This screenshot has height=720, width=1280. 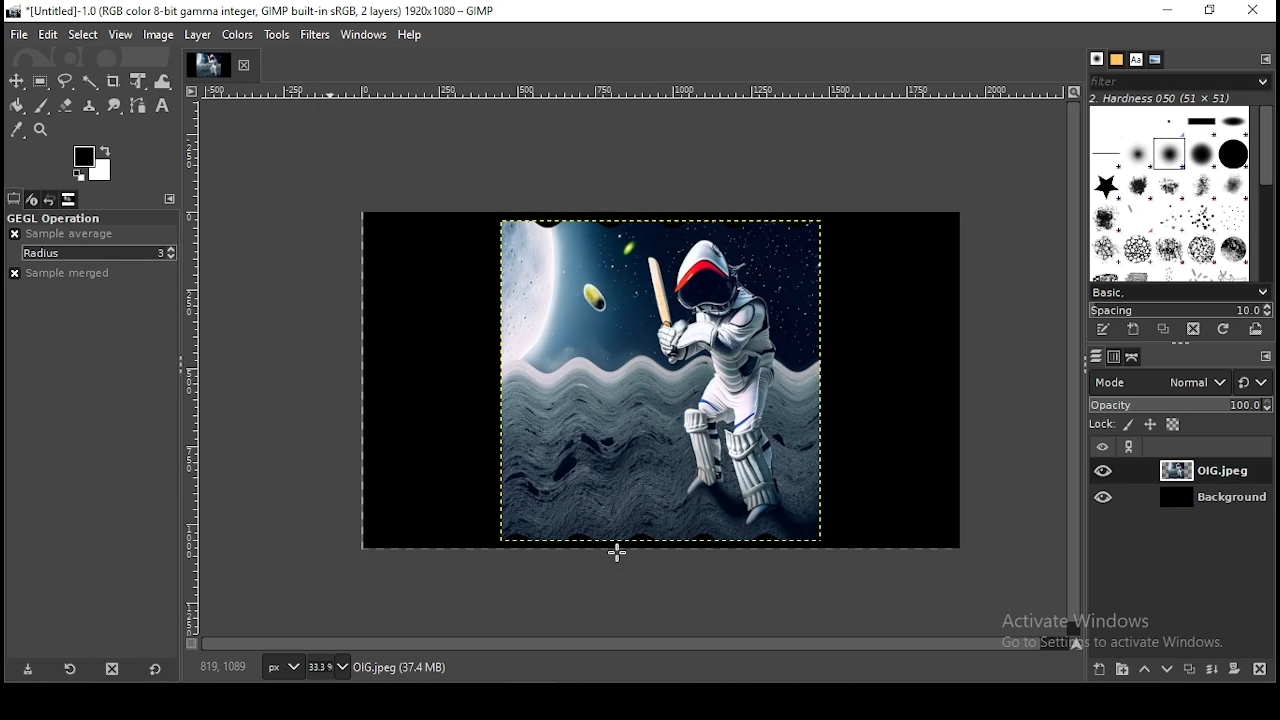 What do you see at coordinates (91, 107) in the screenshot?
I see `clone tool` at bounding box center [91, 107].